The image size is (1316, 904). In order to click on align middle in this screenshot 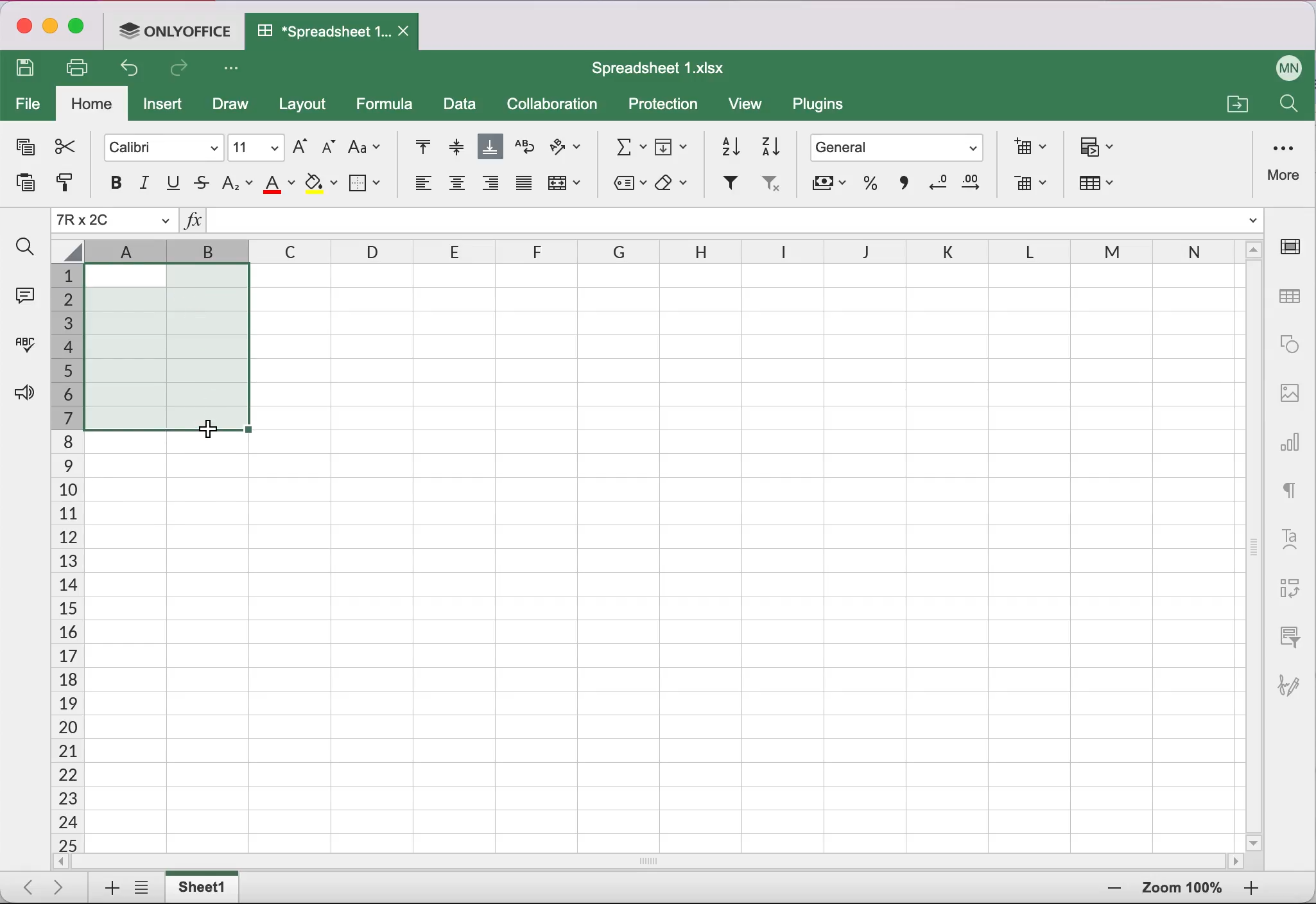, I will do `click(454, 146)`.